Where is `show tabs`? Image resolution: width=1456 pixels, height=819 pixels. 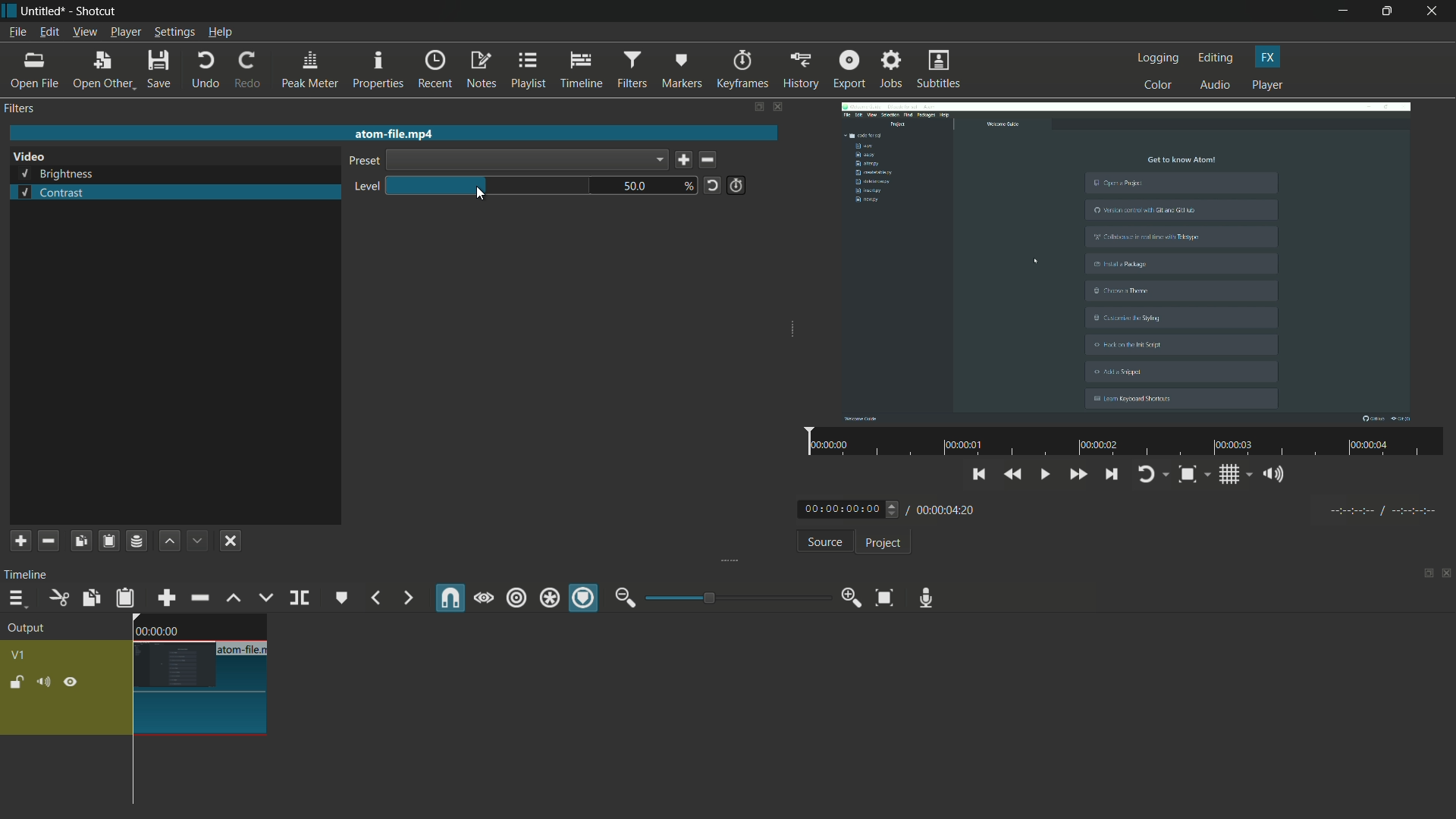
show tabs is located at coordinates (758, 108).